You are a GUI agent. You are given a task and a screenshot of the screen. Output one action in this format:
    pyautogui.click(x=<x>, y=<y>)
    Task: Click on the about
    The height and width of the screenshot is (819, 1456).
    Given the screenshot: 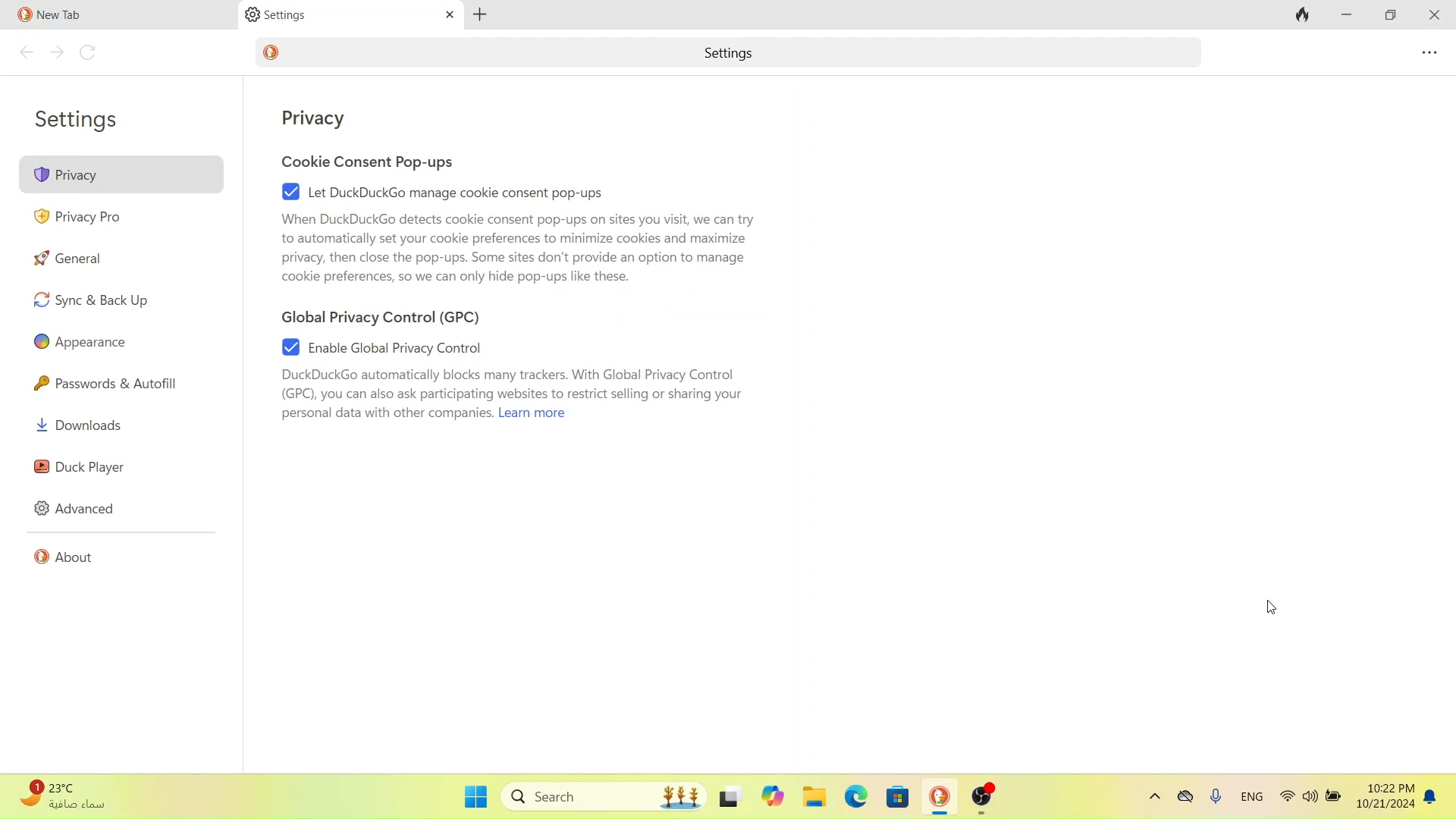 What is the action you would take?
    pyautogui.click(x=68, y=557)
    